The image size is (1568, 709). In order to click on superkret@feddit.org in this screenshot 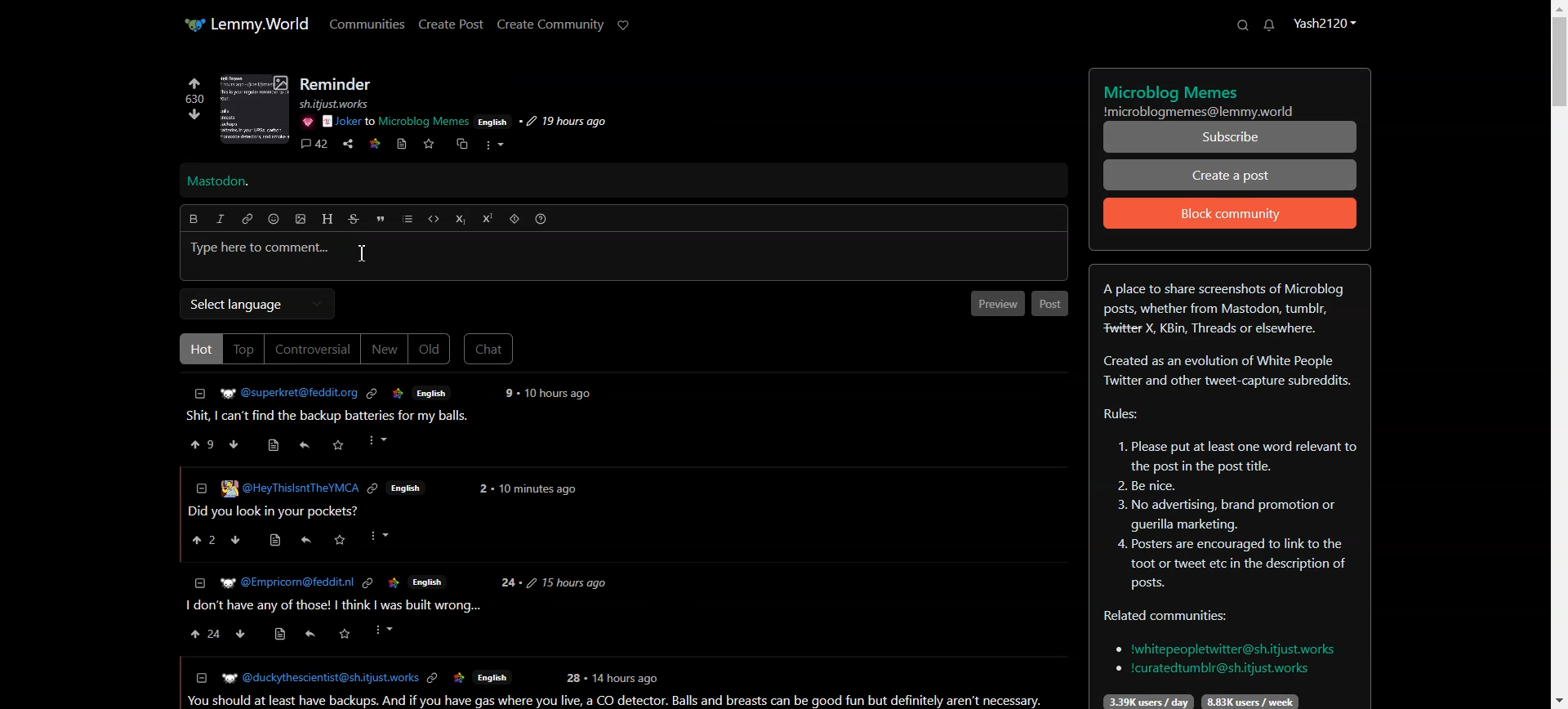, I will do `click(283, 390)`.